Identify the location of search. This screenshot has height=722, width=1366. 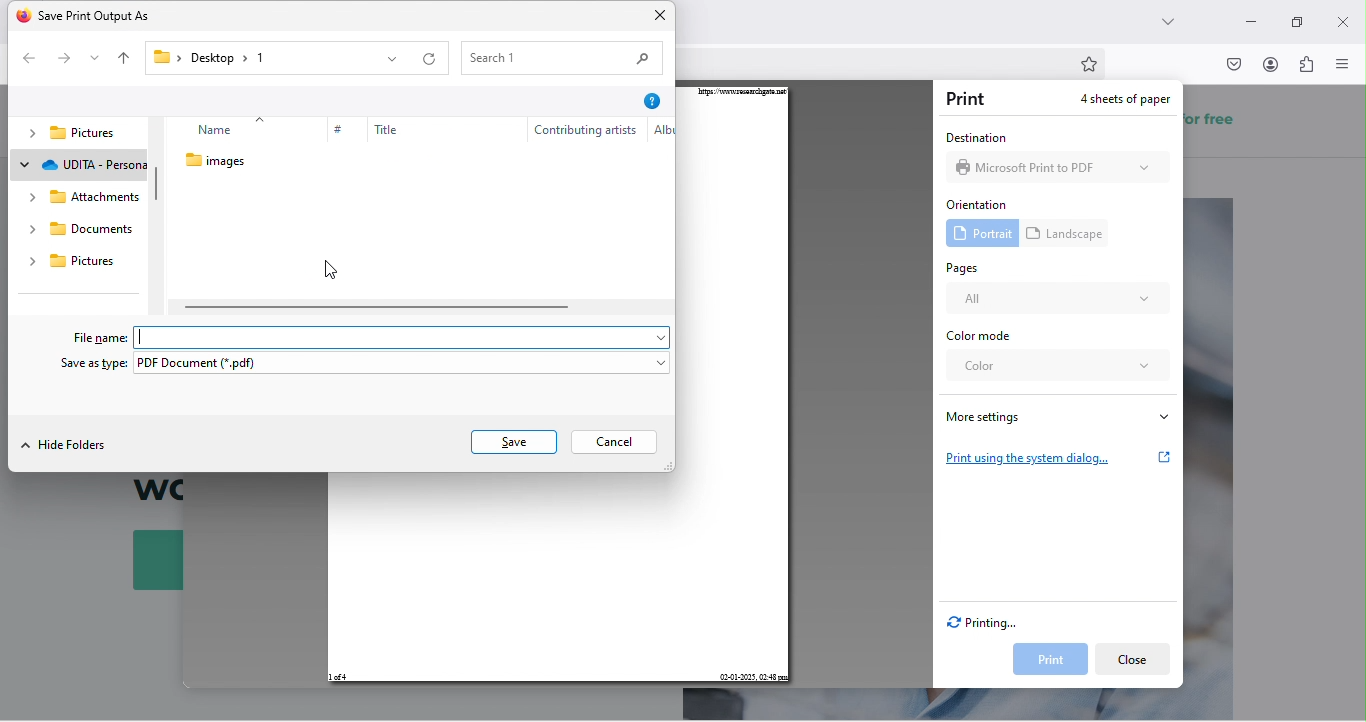
(561, 56).